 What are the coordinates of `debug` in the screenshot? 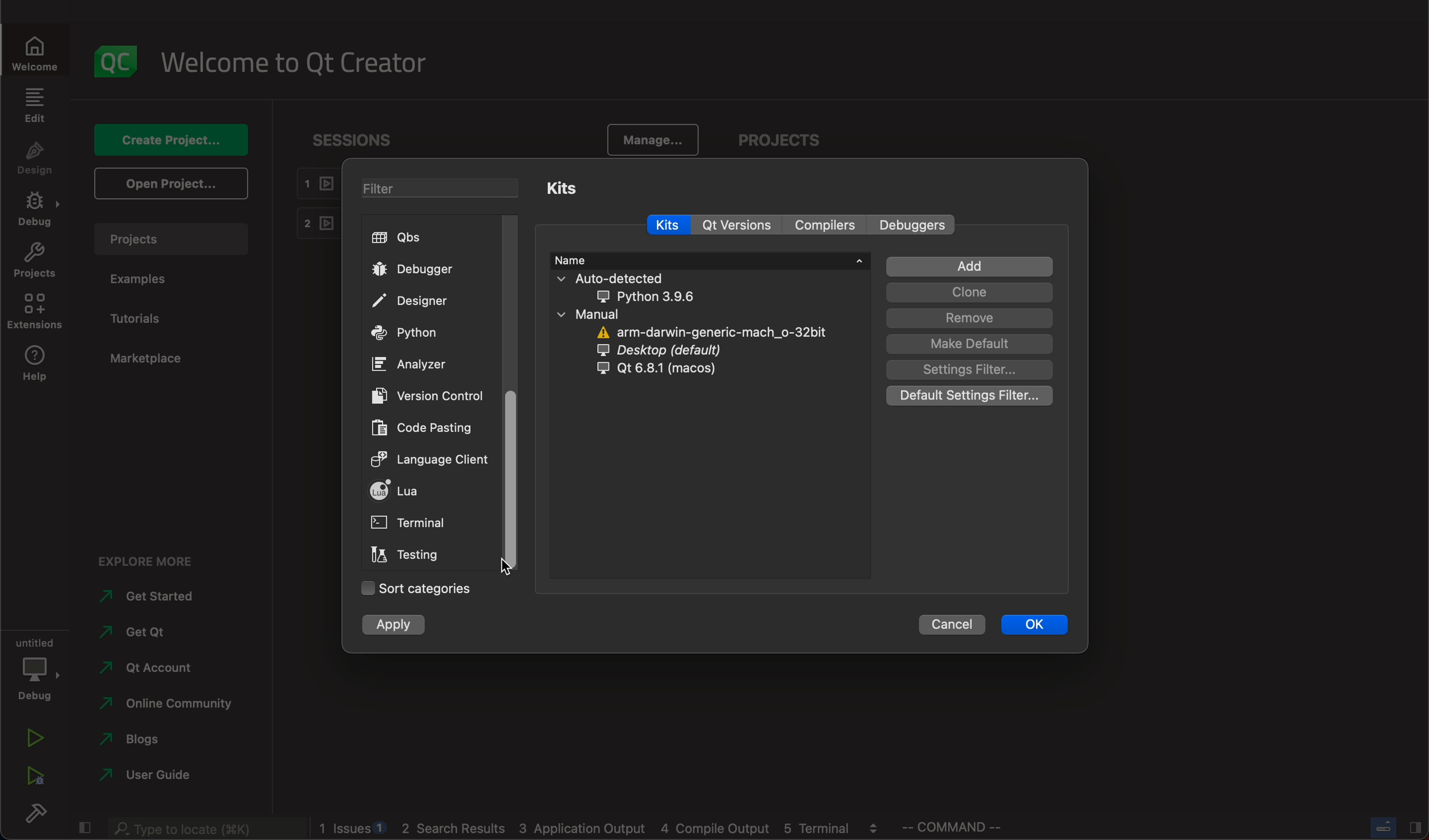 It's located at (37, 668).